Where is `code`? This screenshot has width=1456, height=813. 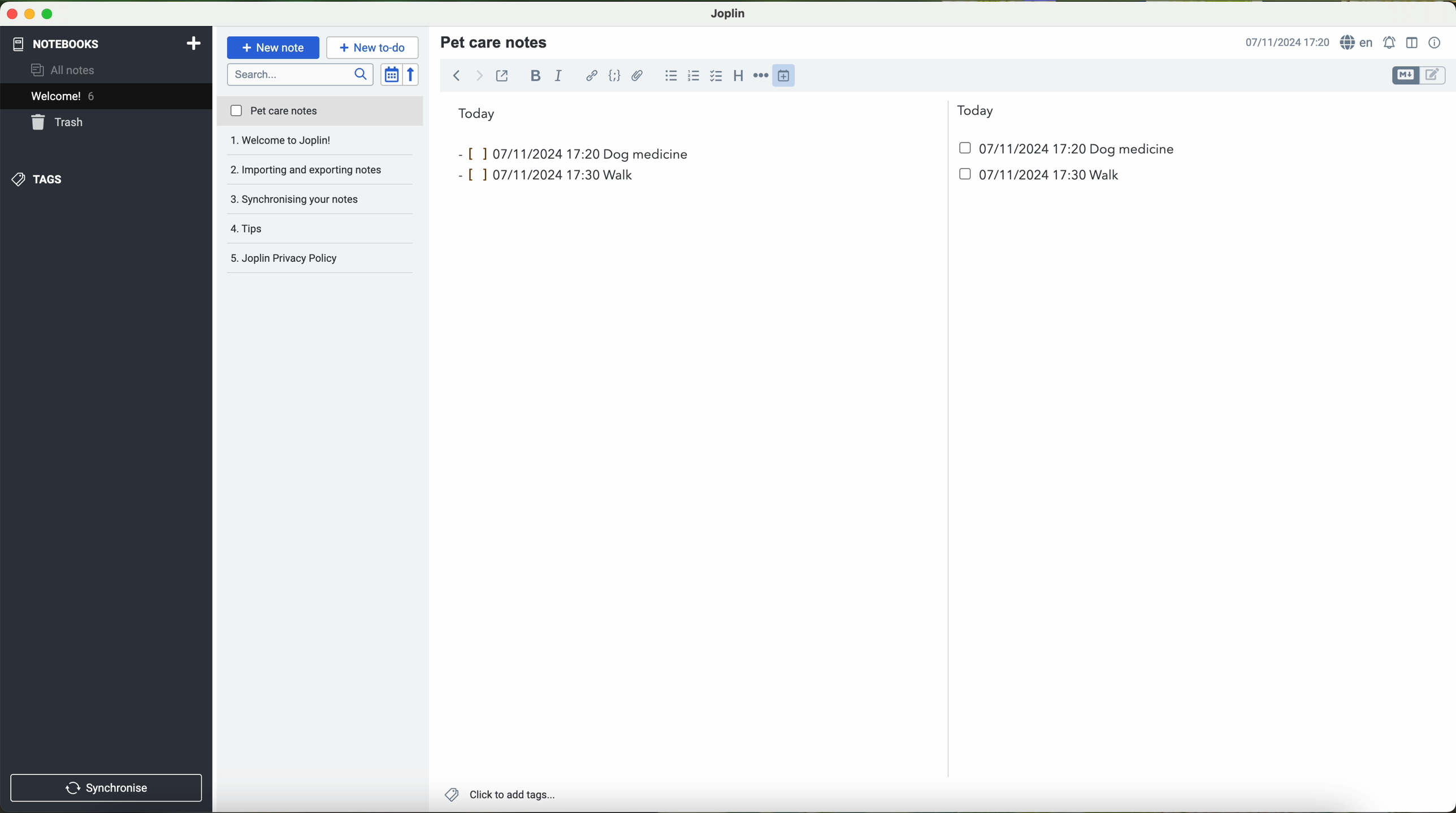
code is located at coordinates (614, 75).